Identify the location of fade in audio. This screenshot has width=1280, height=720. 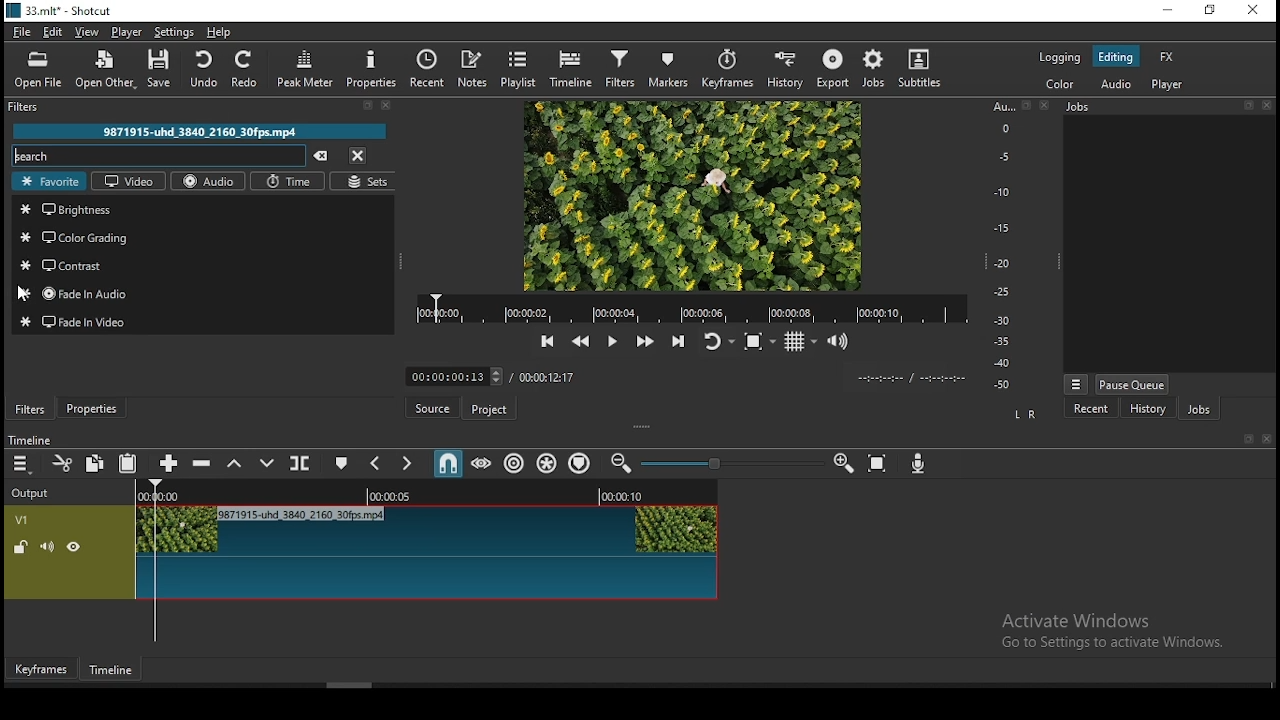
(201, 294).